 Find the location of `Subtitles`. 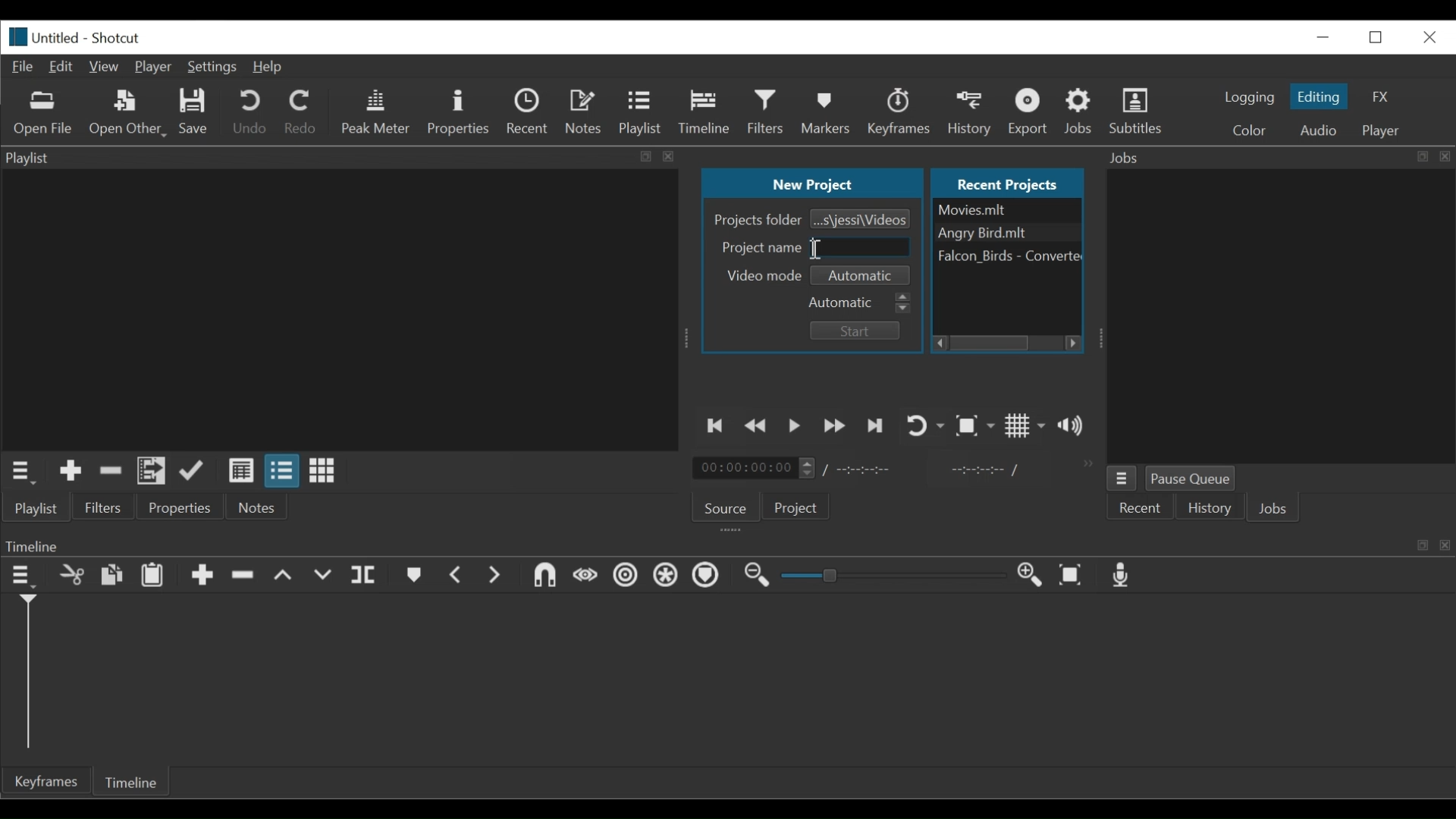

Subtitles is located at coordinates (1135, 111).